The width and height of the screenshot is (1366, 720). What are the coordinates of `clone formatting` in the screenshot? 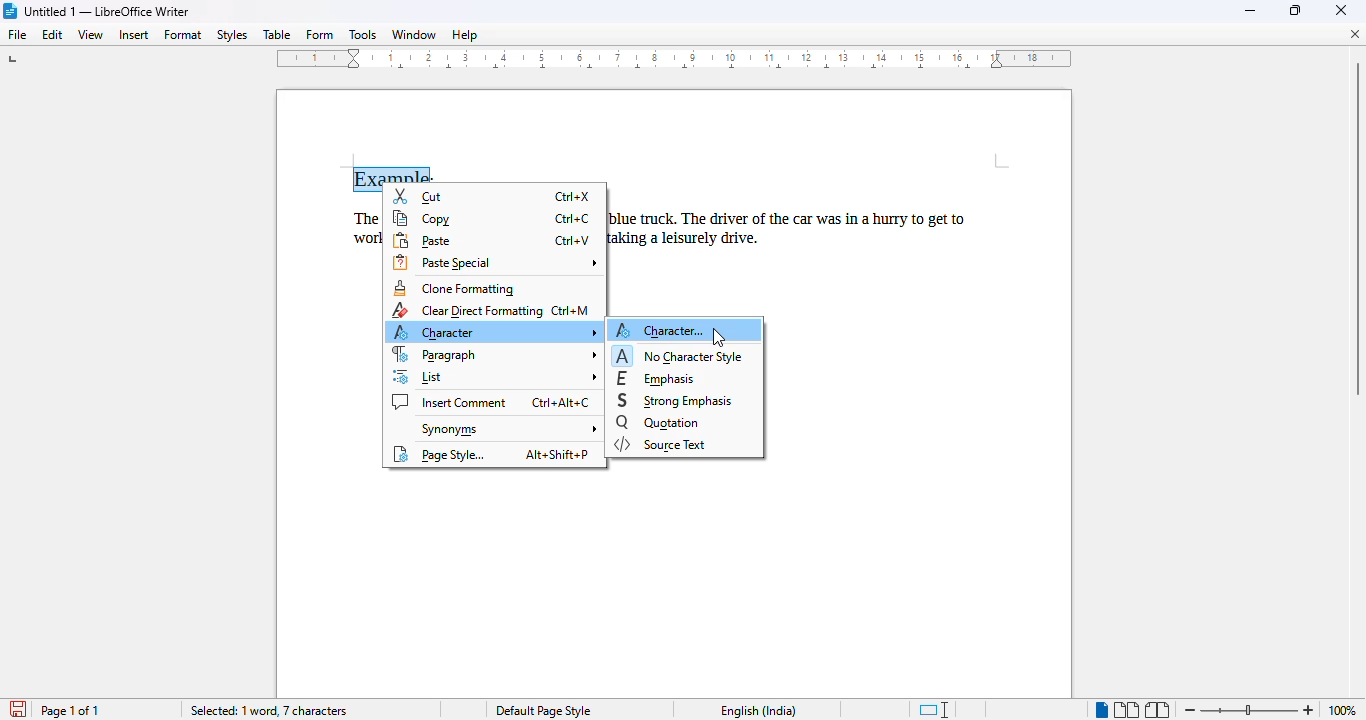 It's located at (455, 289).